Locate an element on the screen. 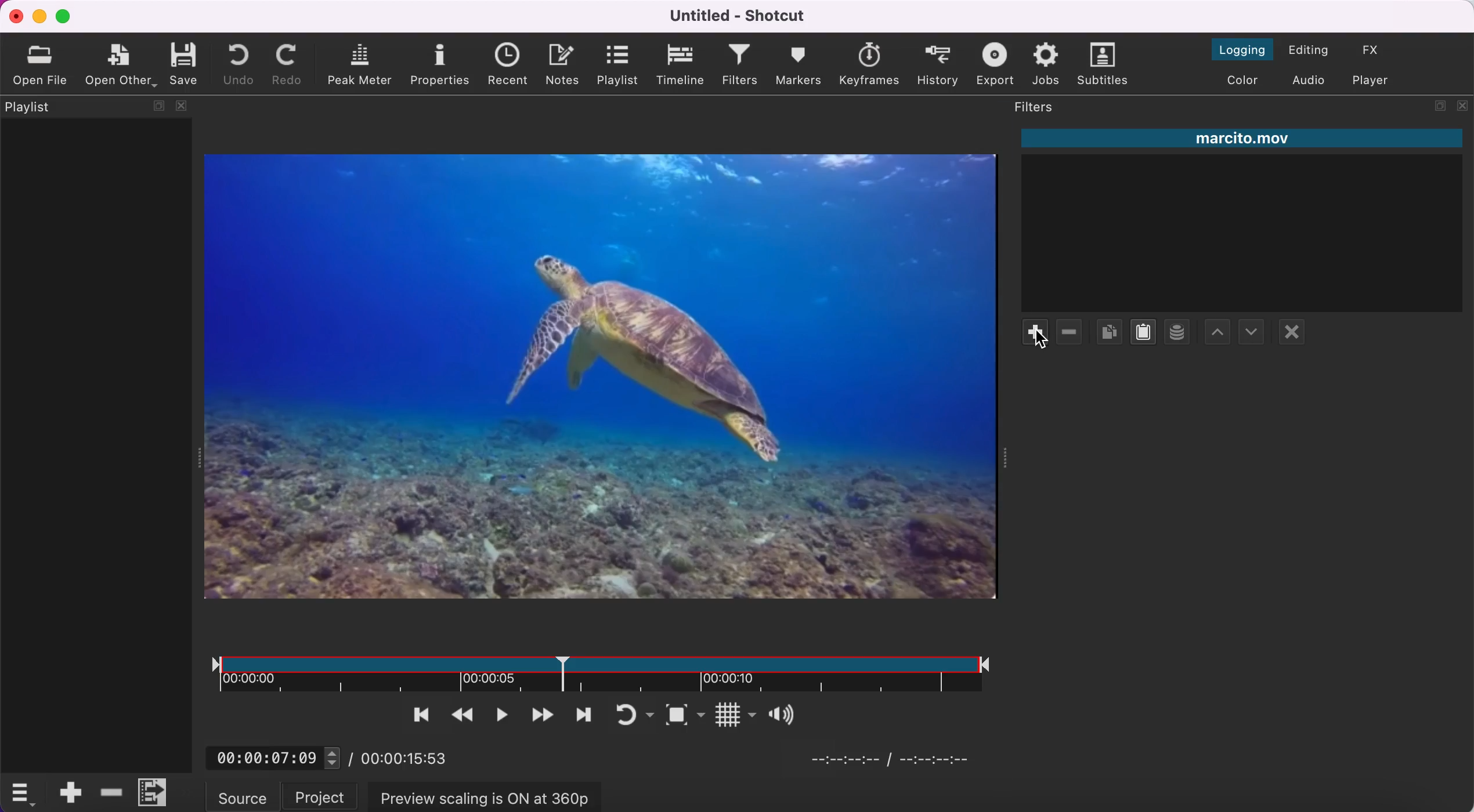 This screenshot has height=812, width=1474. history is located at coordinates (939, 64).